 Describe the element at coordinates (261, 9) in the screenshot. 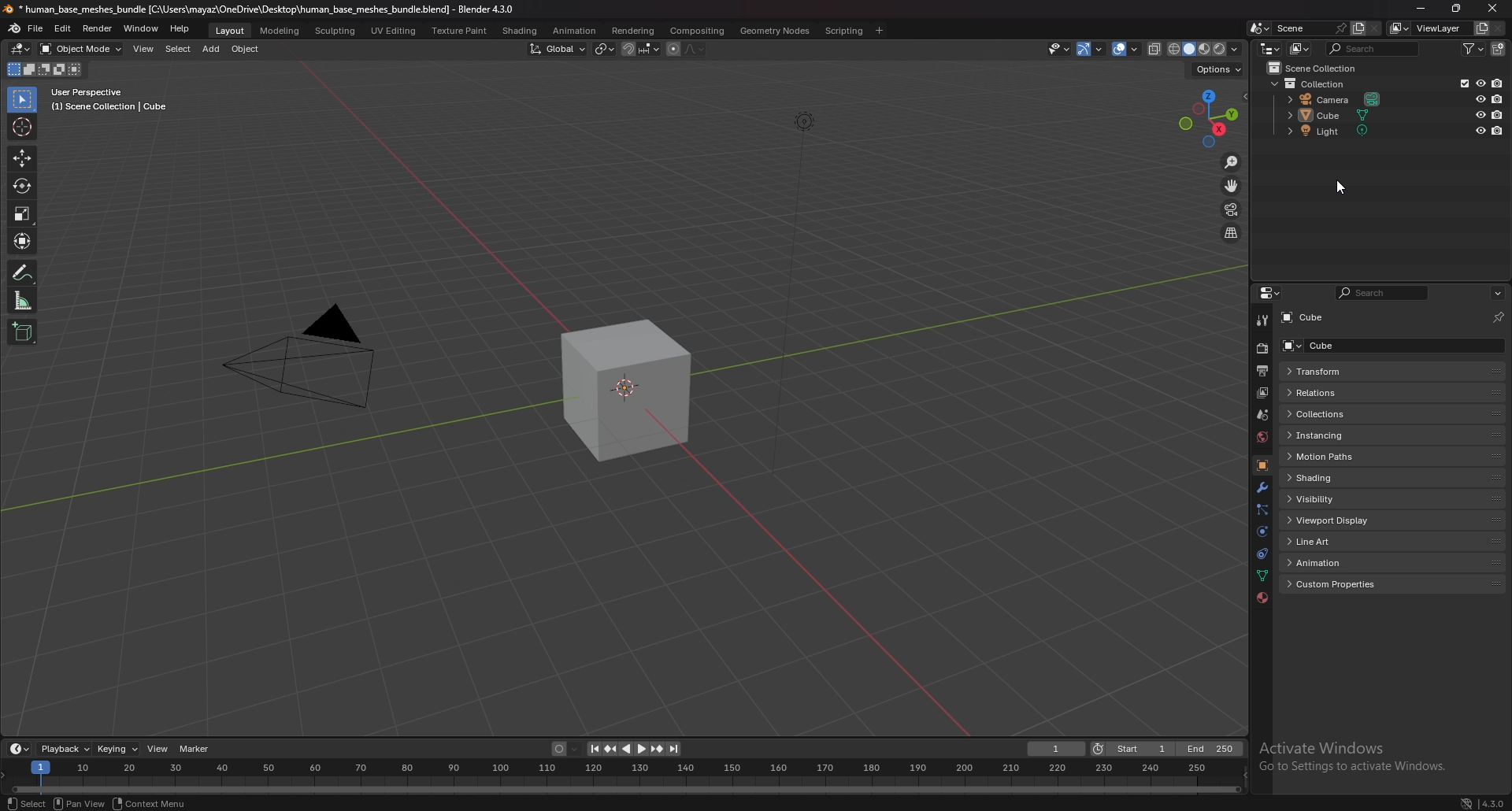

I see `title` at that location.